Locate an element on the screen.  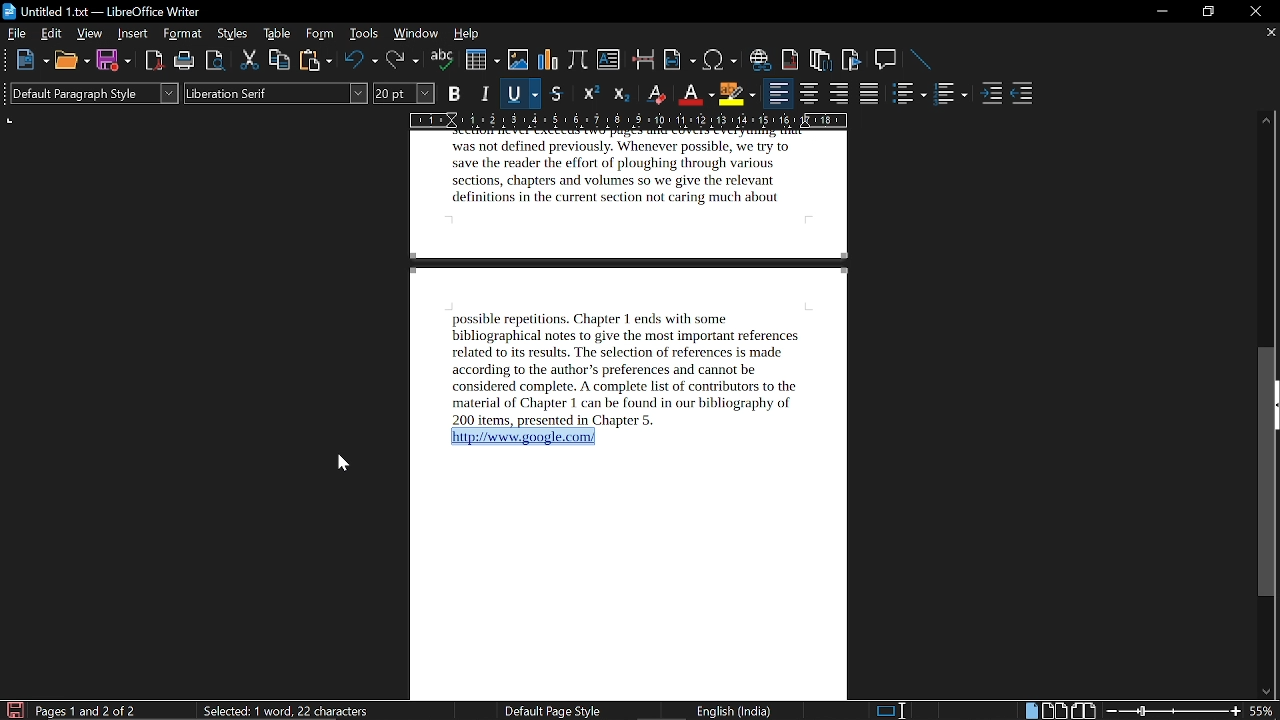
insert comment is located at coordinates (887, 60).